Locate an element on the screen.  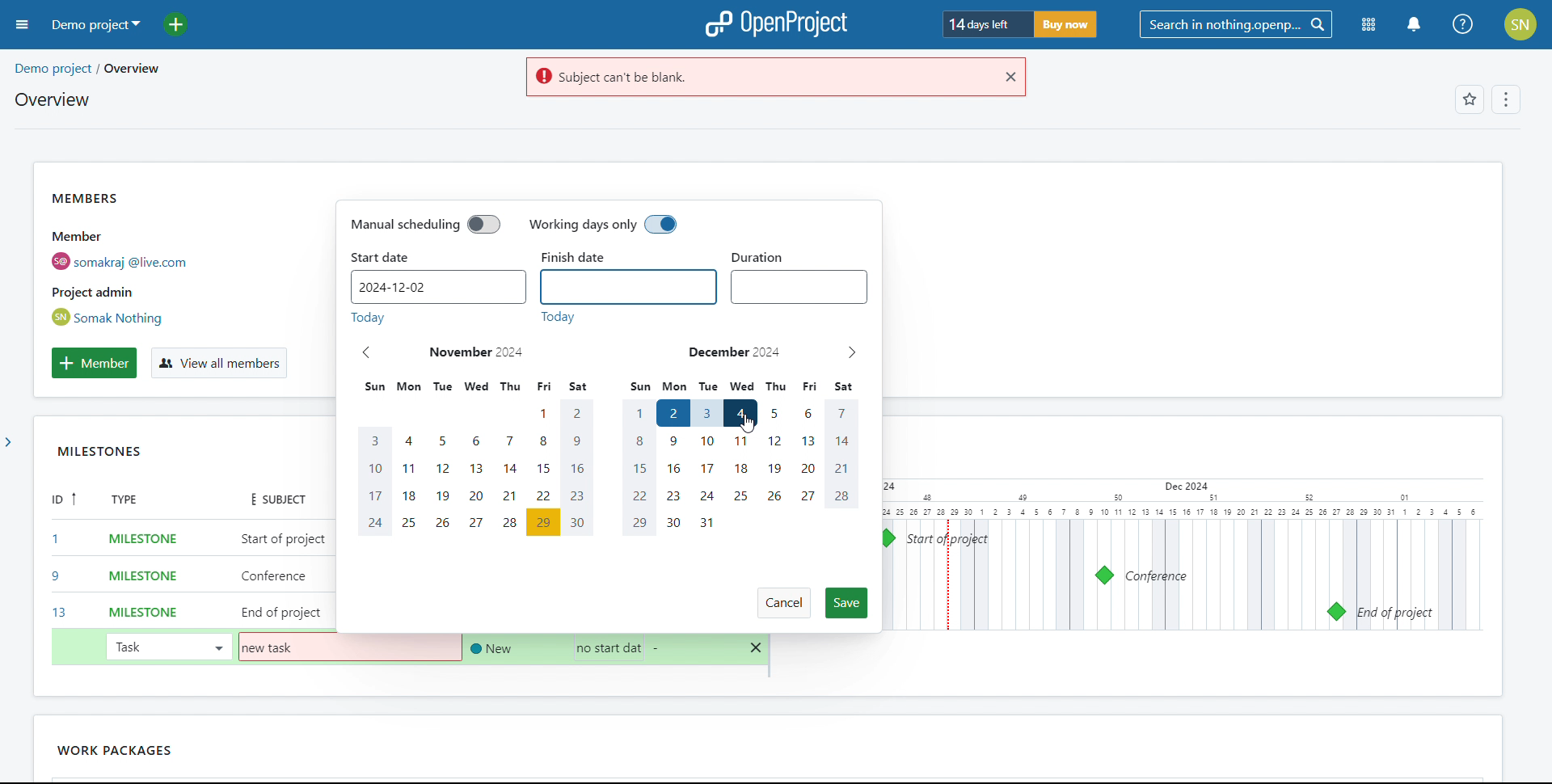
previous month is located at coordinates (367, 352).